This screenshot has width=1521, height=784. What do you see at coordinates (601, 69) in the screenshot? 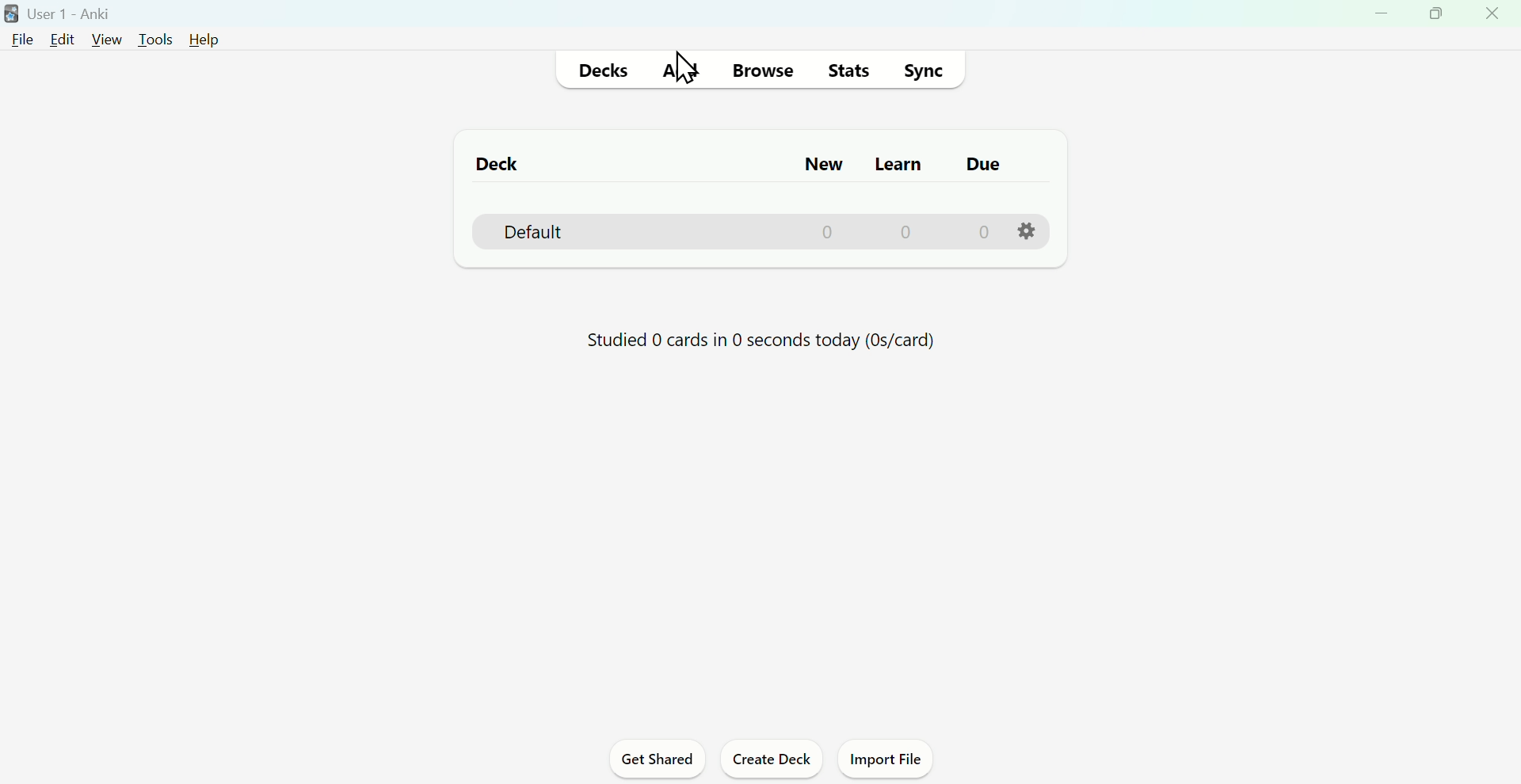
I see `Decks` at bounding box center [601, 69].